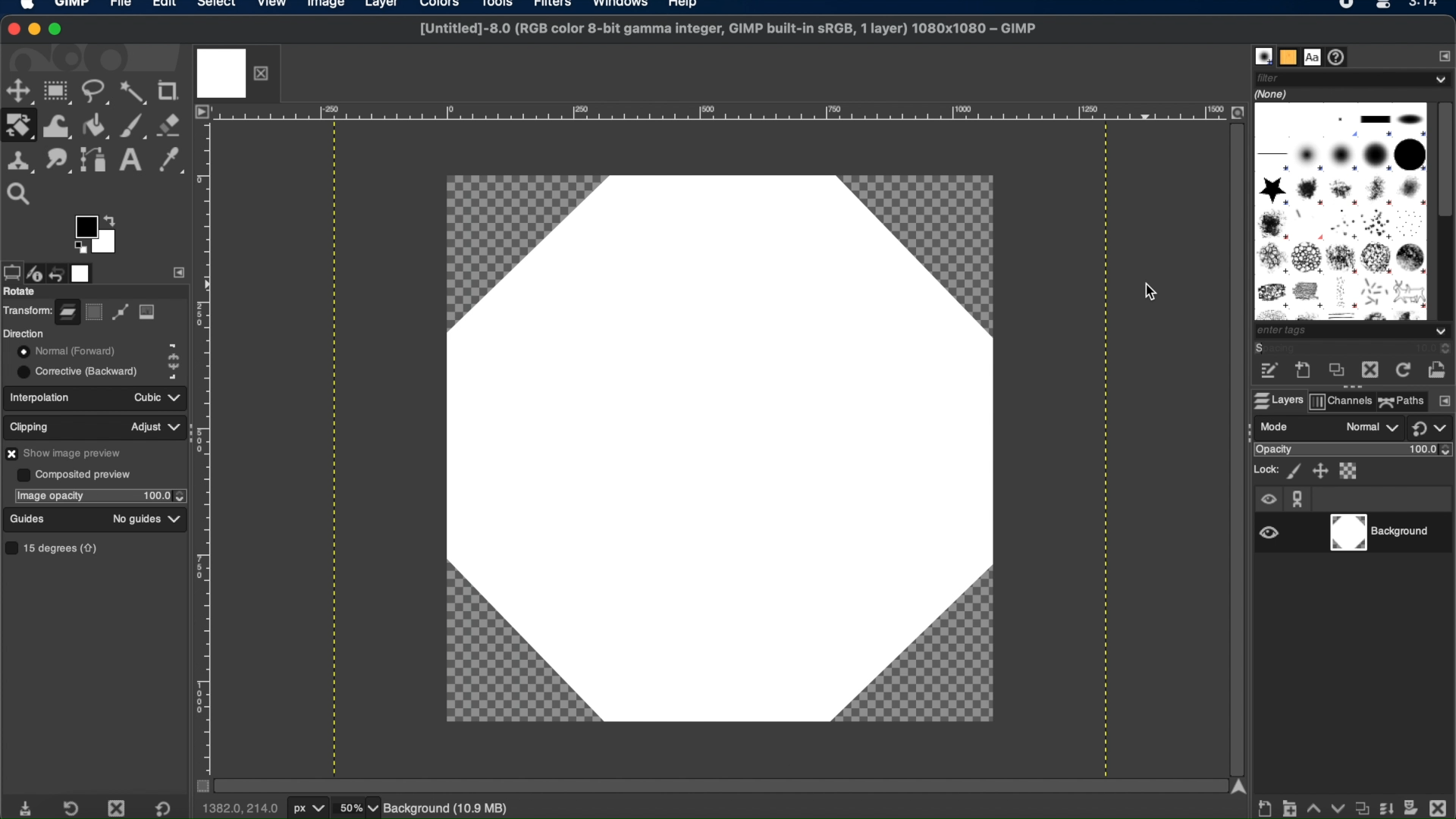  I want to click on 15 degrees, so click(55, 548).